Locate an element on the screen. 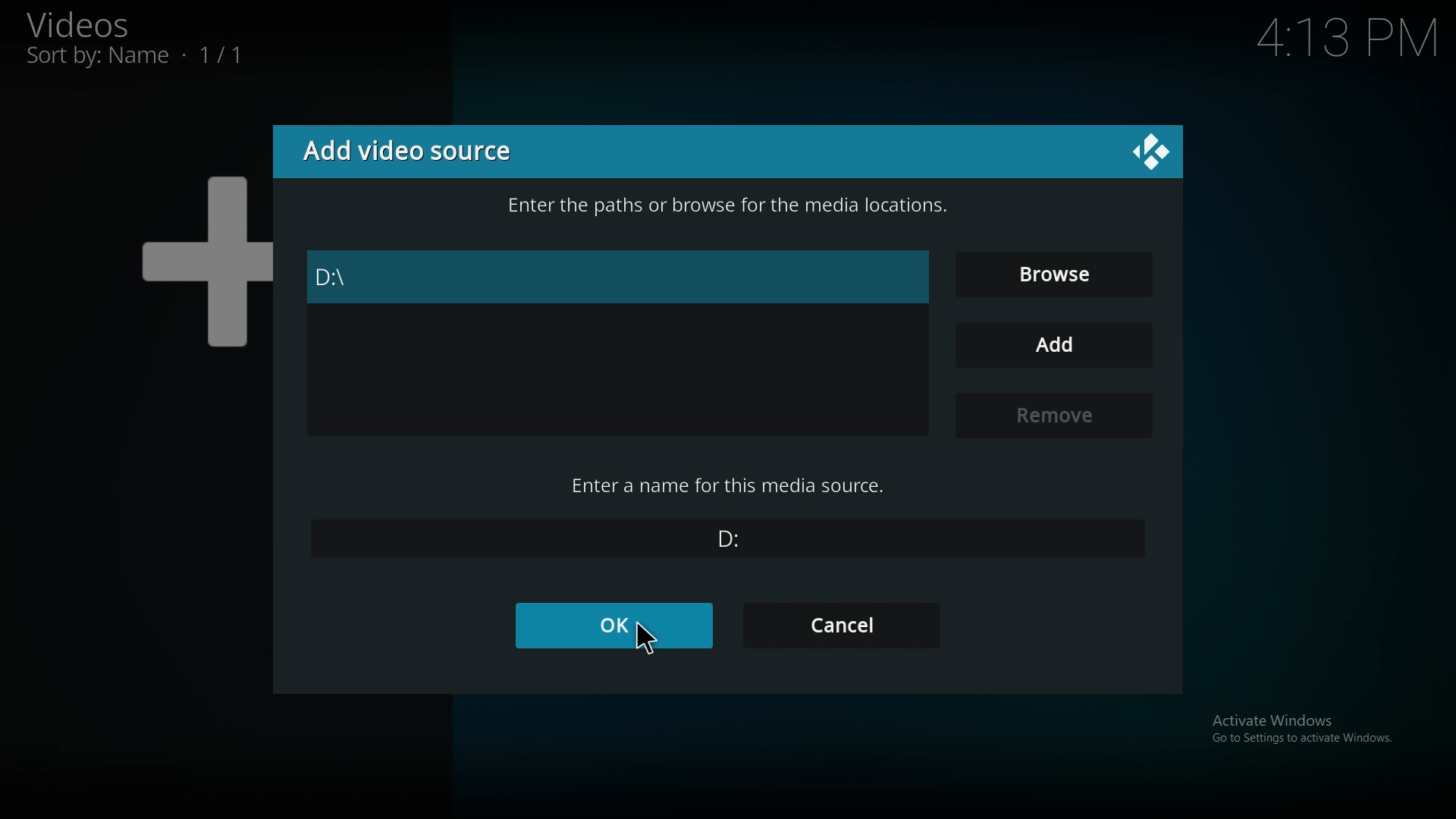 This screenshot has width=1456, height=819. cursor is located at coordinates (645, 637).